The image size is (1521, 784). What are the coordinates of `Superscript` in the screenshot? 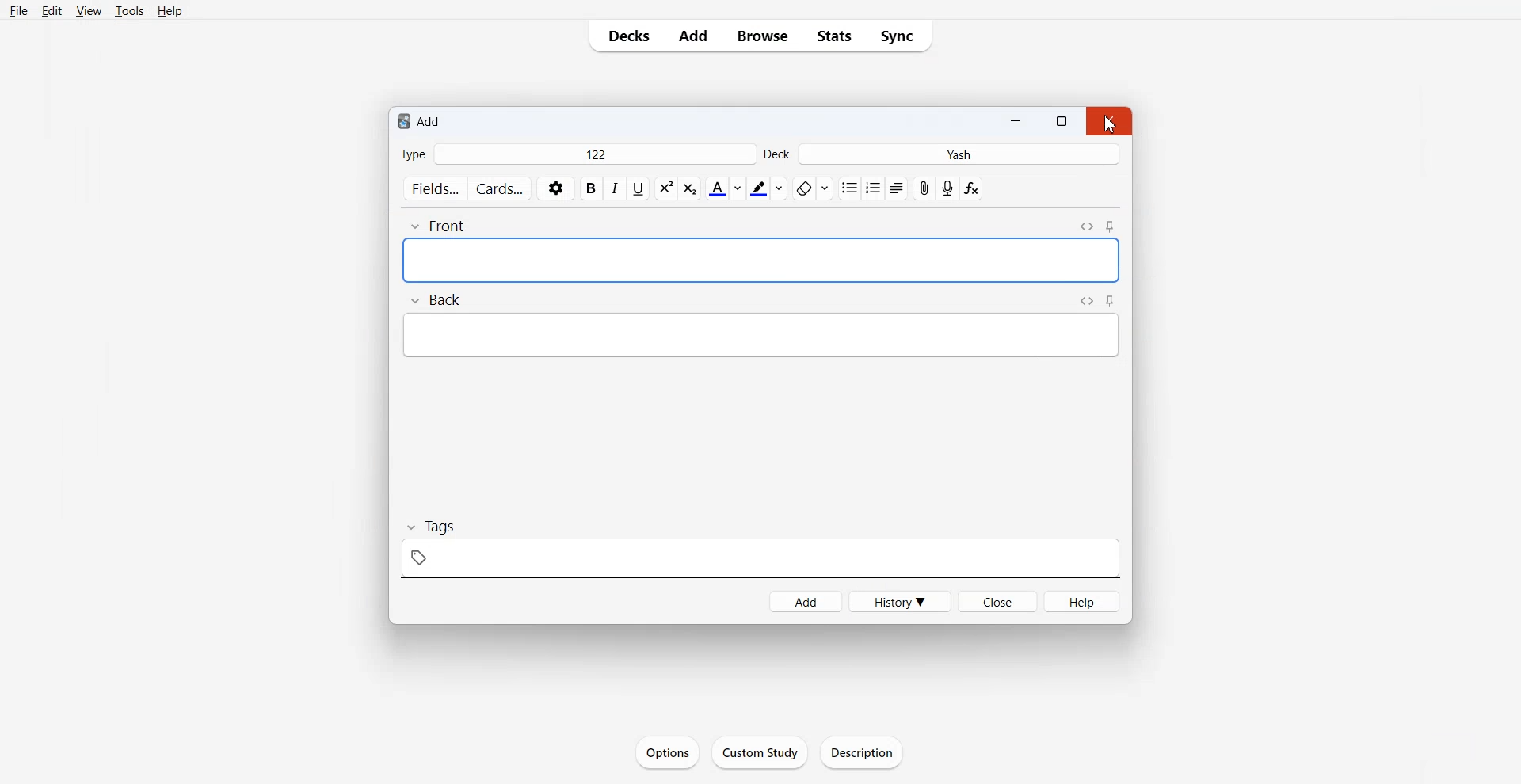 It's located at (691, 189).